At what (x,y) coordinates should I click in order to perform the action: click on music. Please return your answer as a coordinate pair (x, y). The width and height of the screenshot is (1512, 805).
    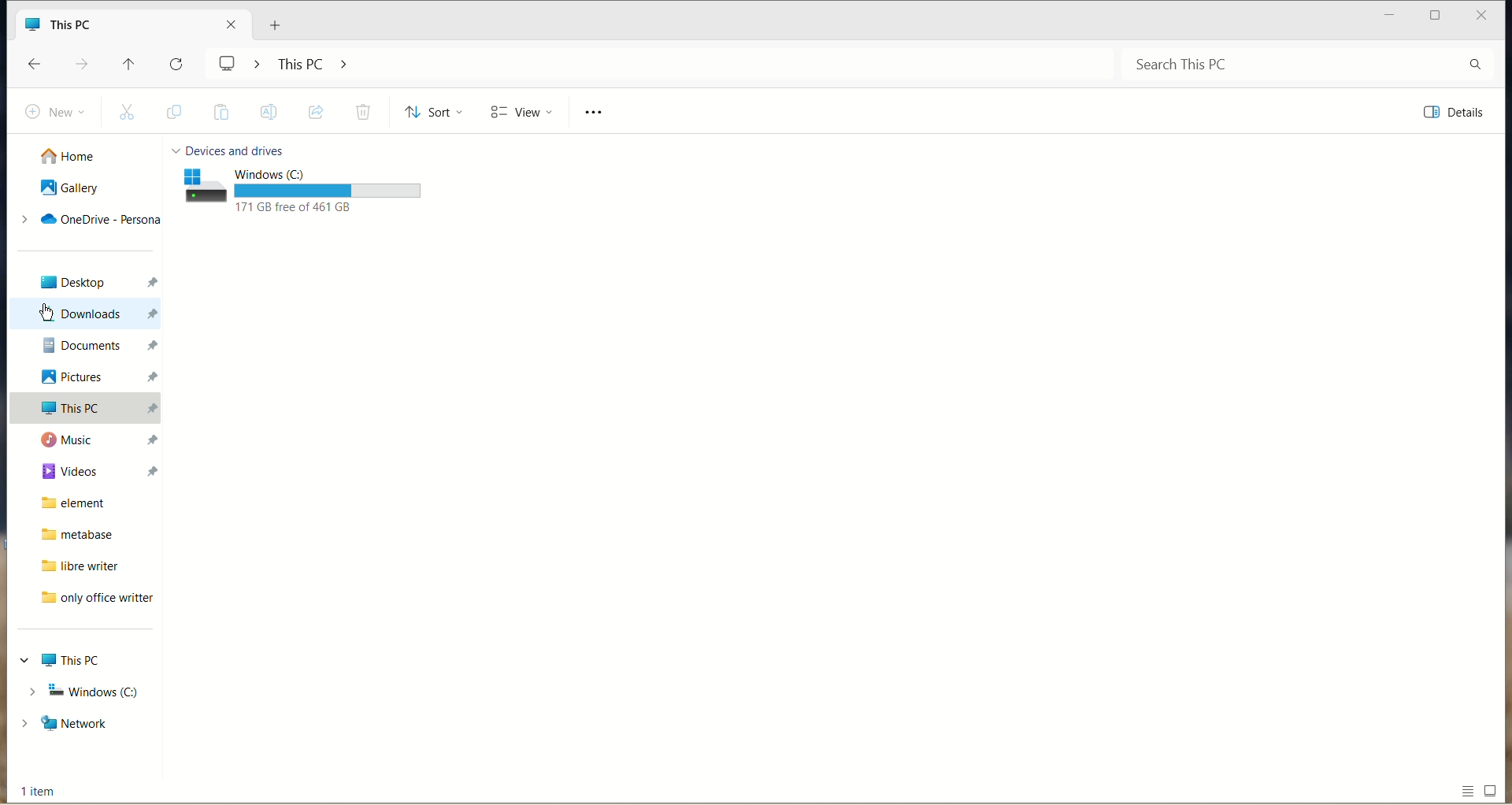
    Looking at the image, I should click on (94, 440).